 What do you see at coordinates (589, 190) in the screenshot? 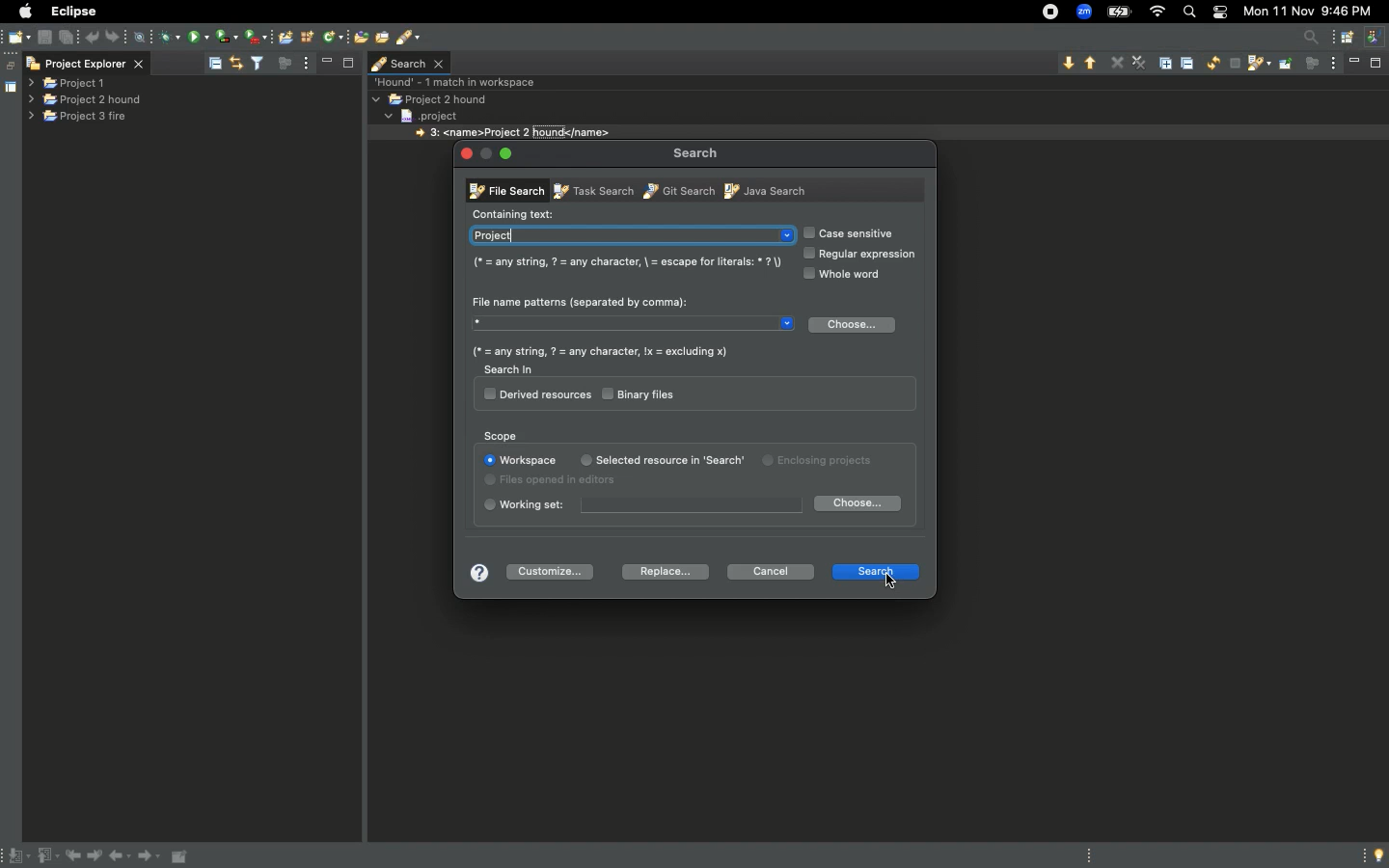
I see `Task search` at bounding box center [589, 190].